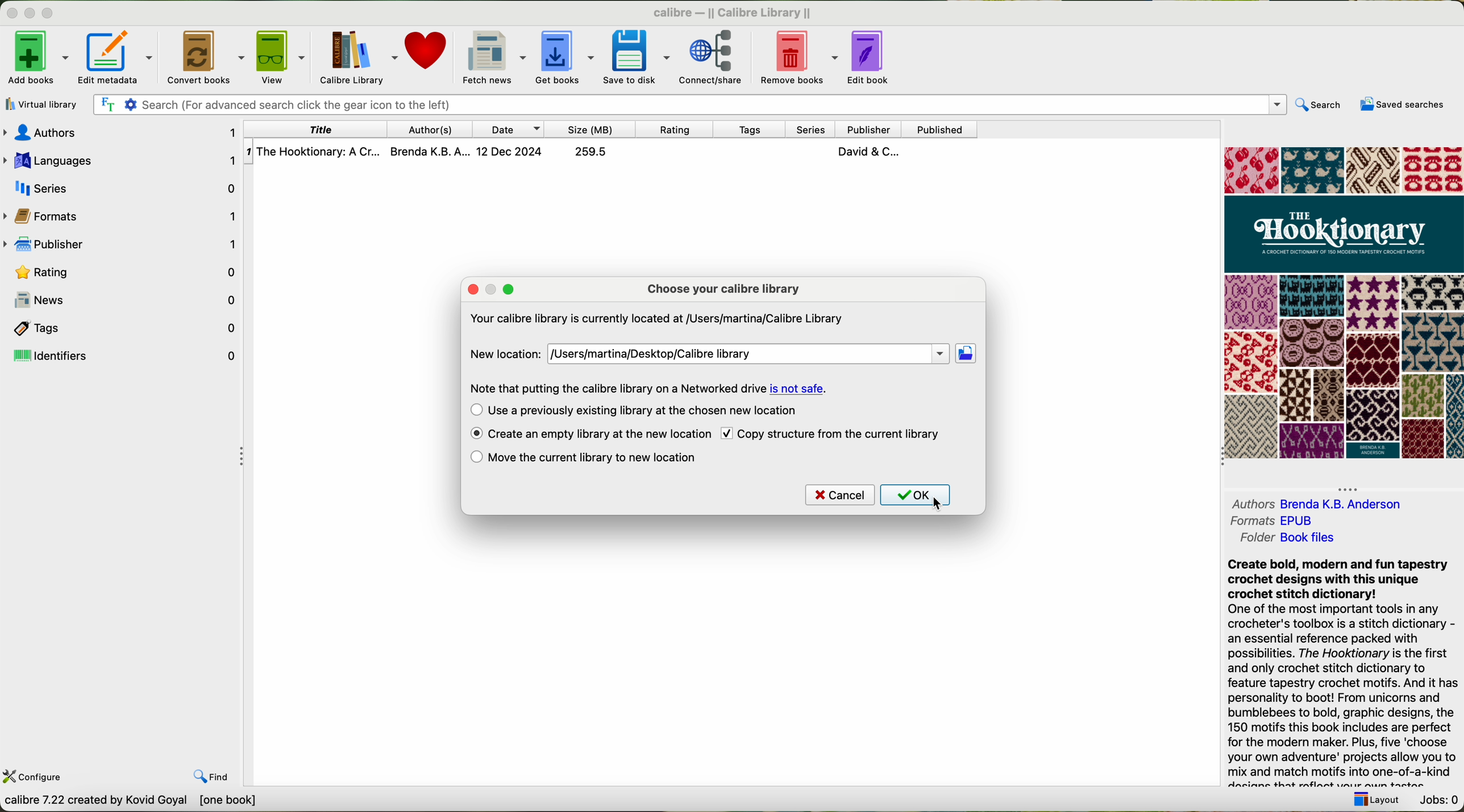  Describe the element at coordinates (576, 156) in the screenshot. I see `The Hooktionary: A Cr... Brenda K.B. A... 12 Dec 2024 259.5` at that location.